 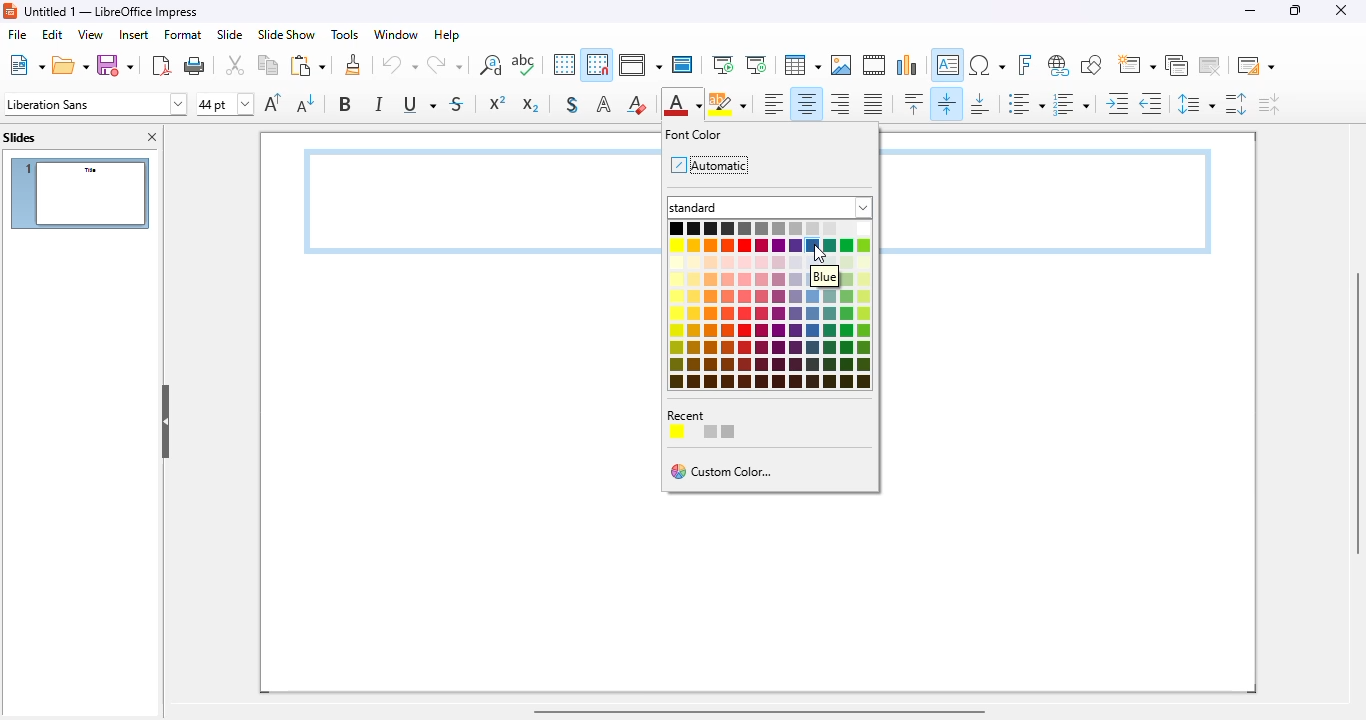 I want to click on increase indent, so click(x=1117, y=103).